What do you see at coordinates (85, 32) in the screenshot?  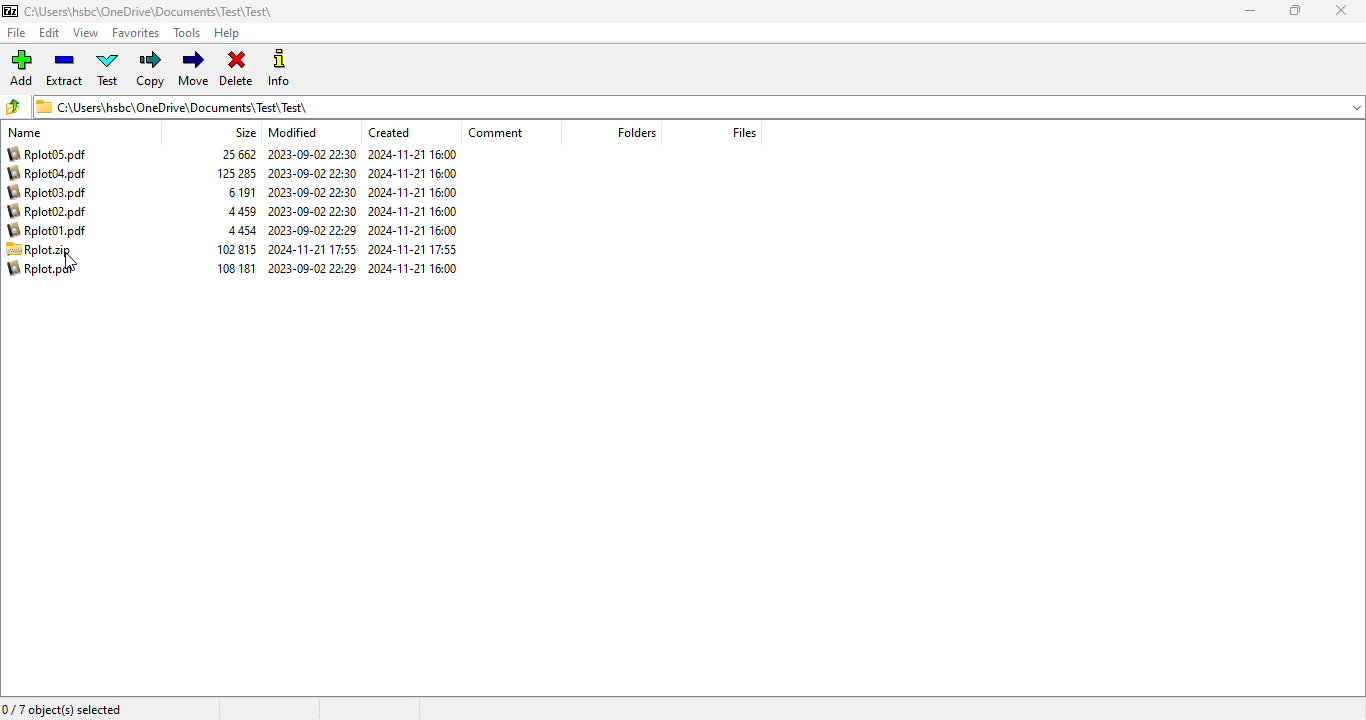 I see `view` at bounding box center [85, 32].